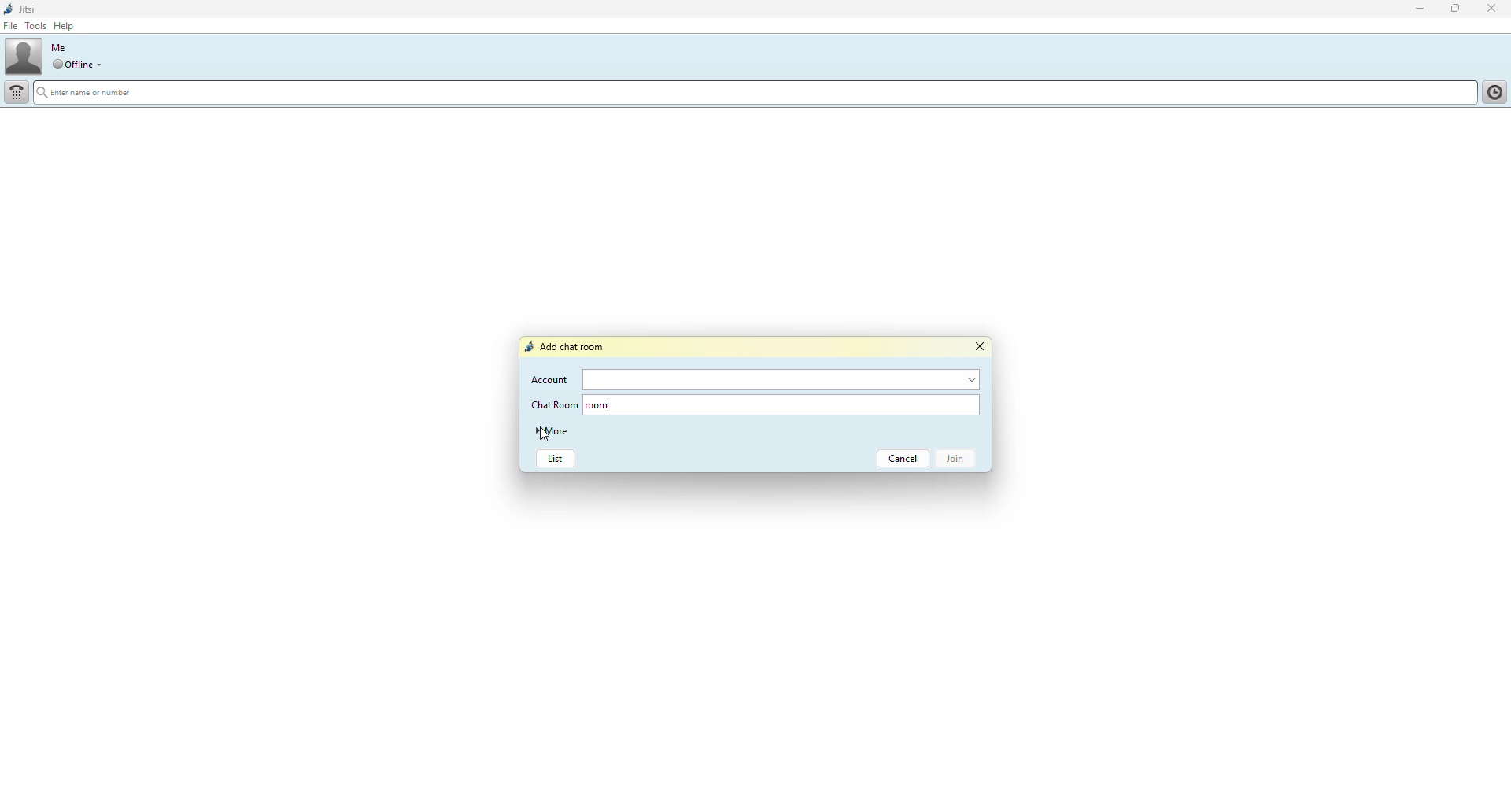 This screenshot has width=1511, height=812. Describe the element at coordinates (551, 433) in the screenshot. I see `more` at that location.